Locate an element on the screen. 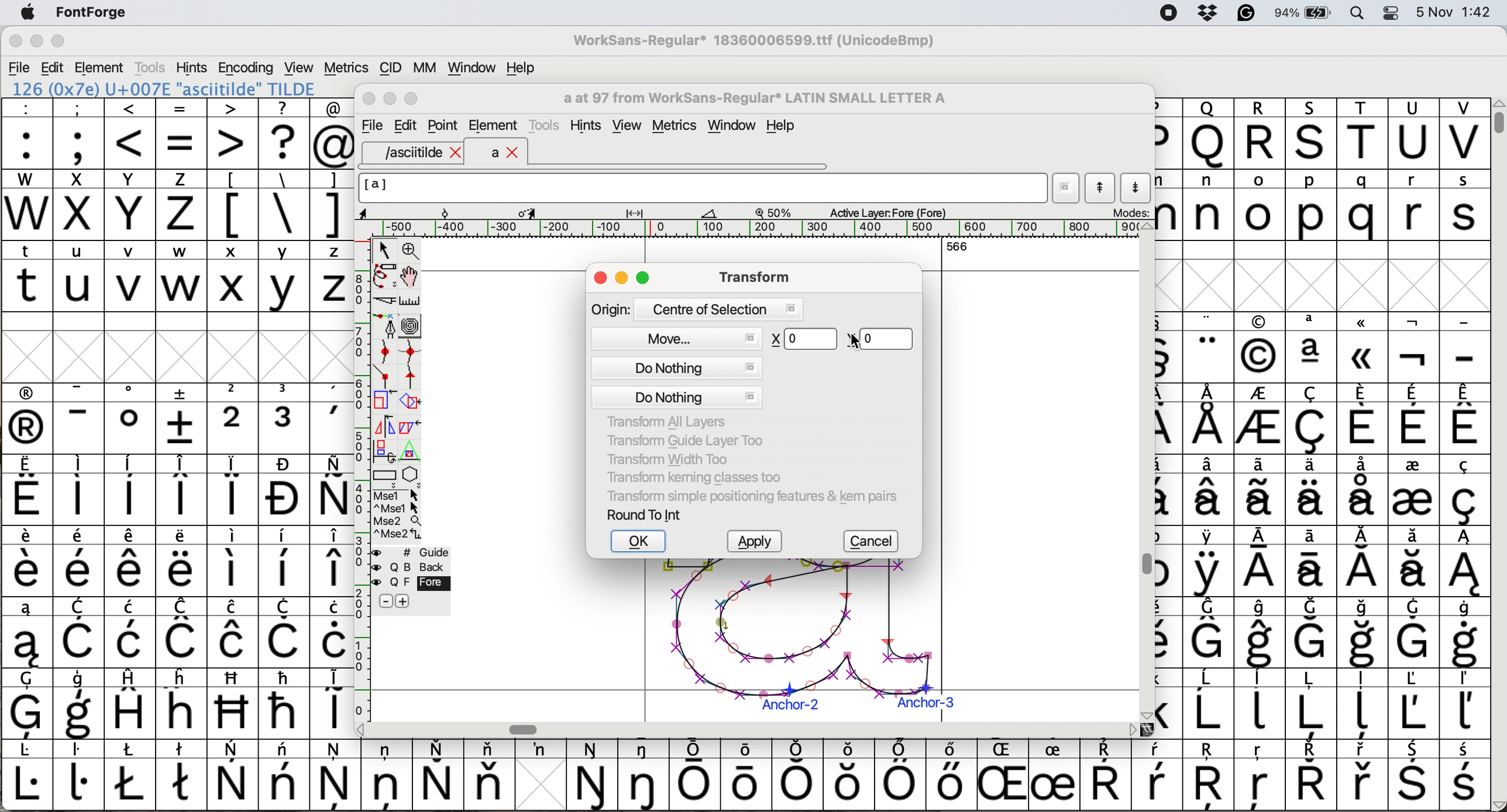 The height and width of the screenshot is (812, 1507). Maximise is located at coordinates (414, 99).